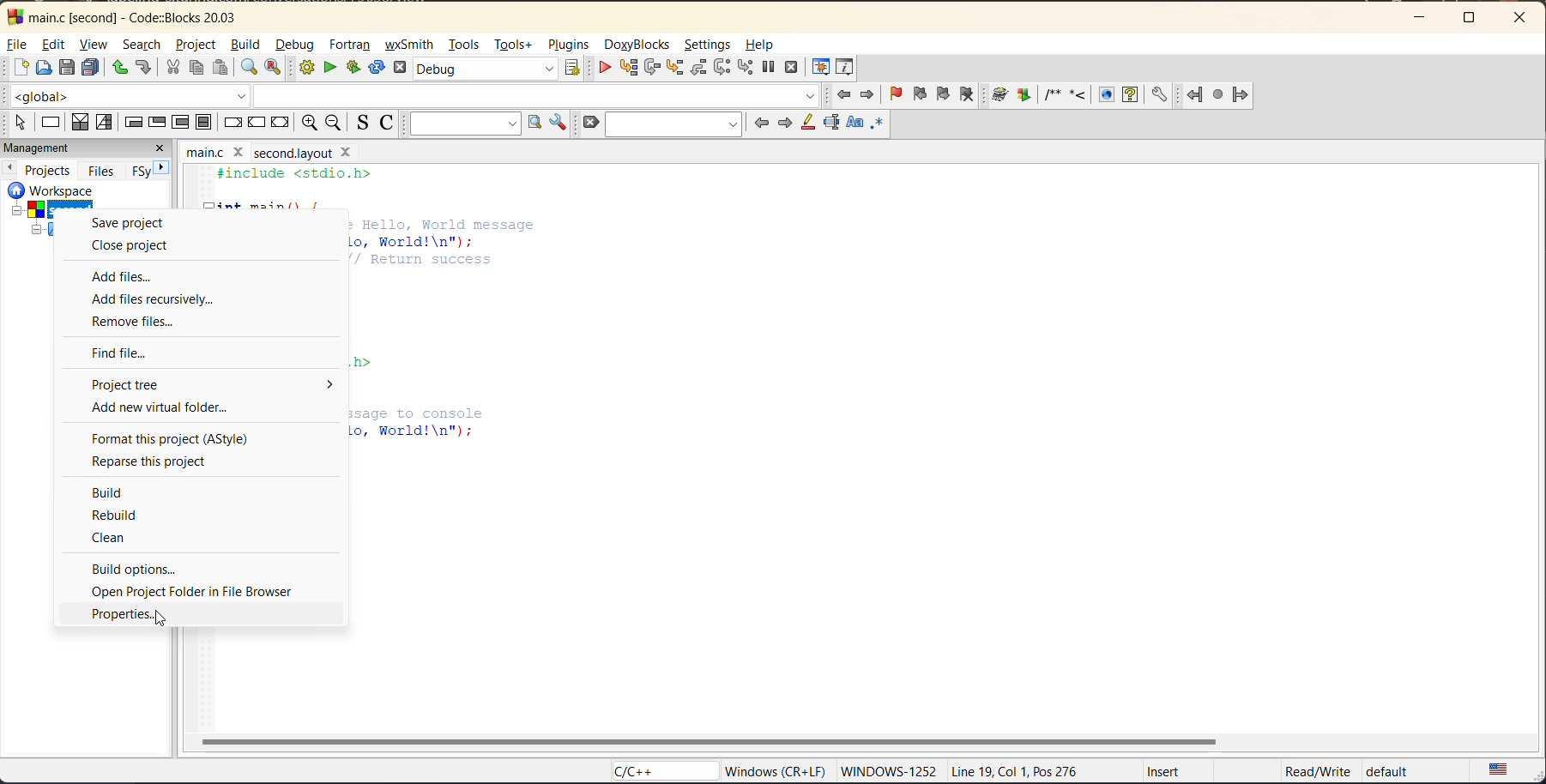 This screenshot has width=1546, height=784. What do you see at coordinates (160, 123) in the screenshot?
I see `exit condition loop` at bounding box center [160, 123].